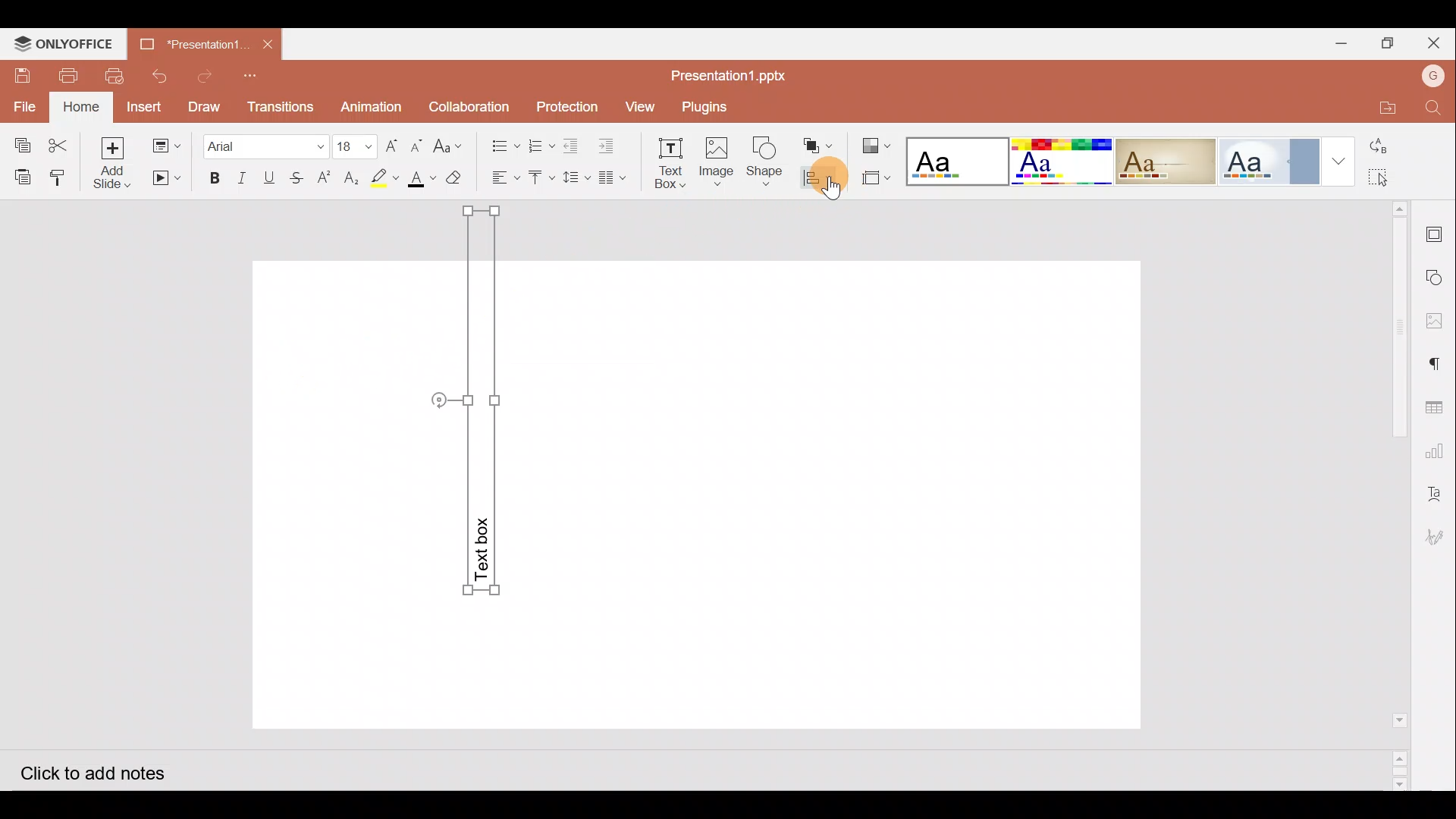 The image size is (1456, 819). What do you see at coordinates (372, 107) in the screenshot?
I see `Animation` at bounding box center [372, 107].